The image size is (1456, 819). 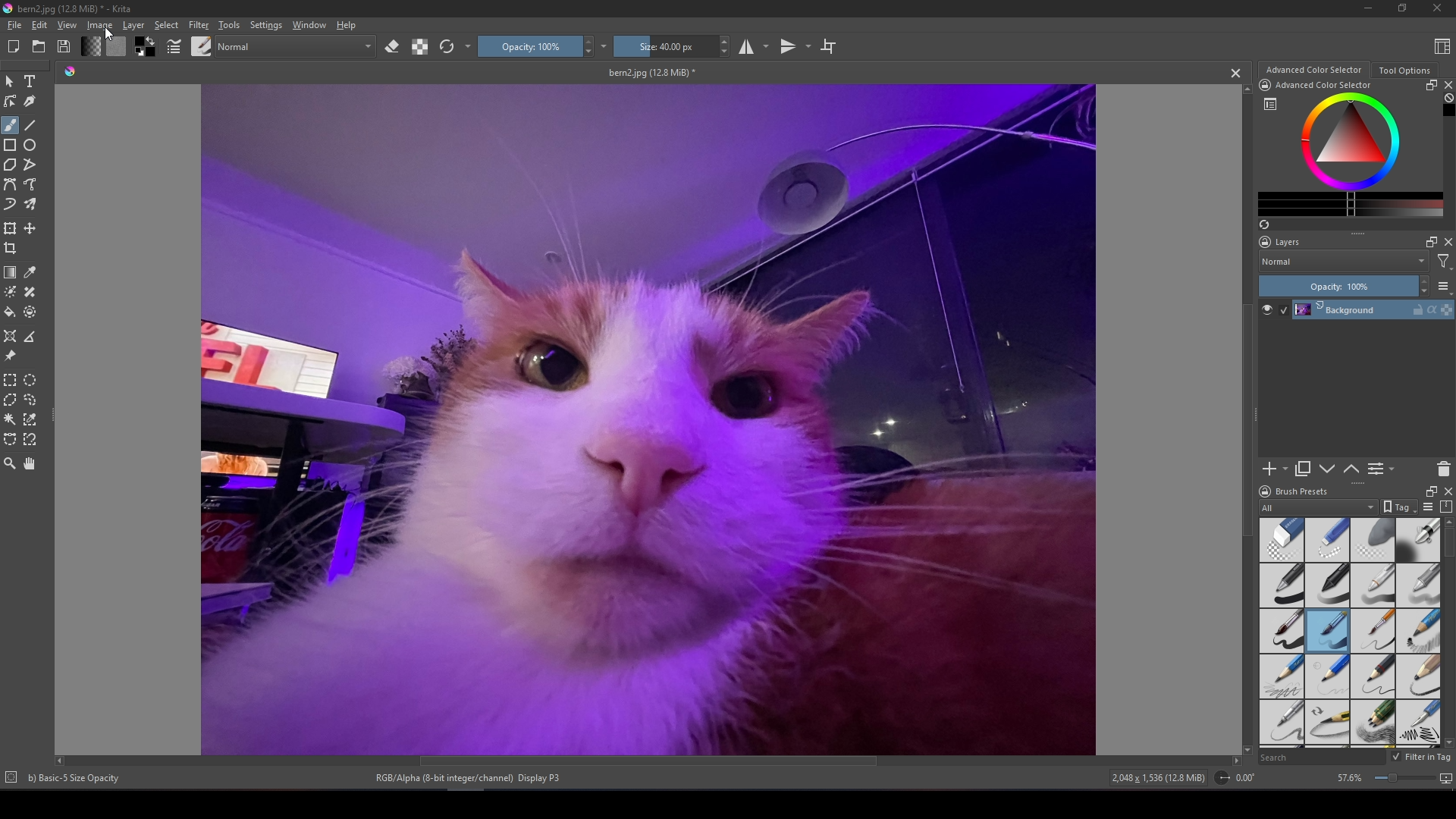 What do you see at coordinates (1443, 469) in the screenshot?
I see `Delete layer` at bounding box center [1443, 469].